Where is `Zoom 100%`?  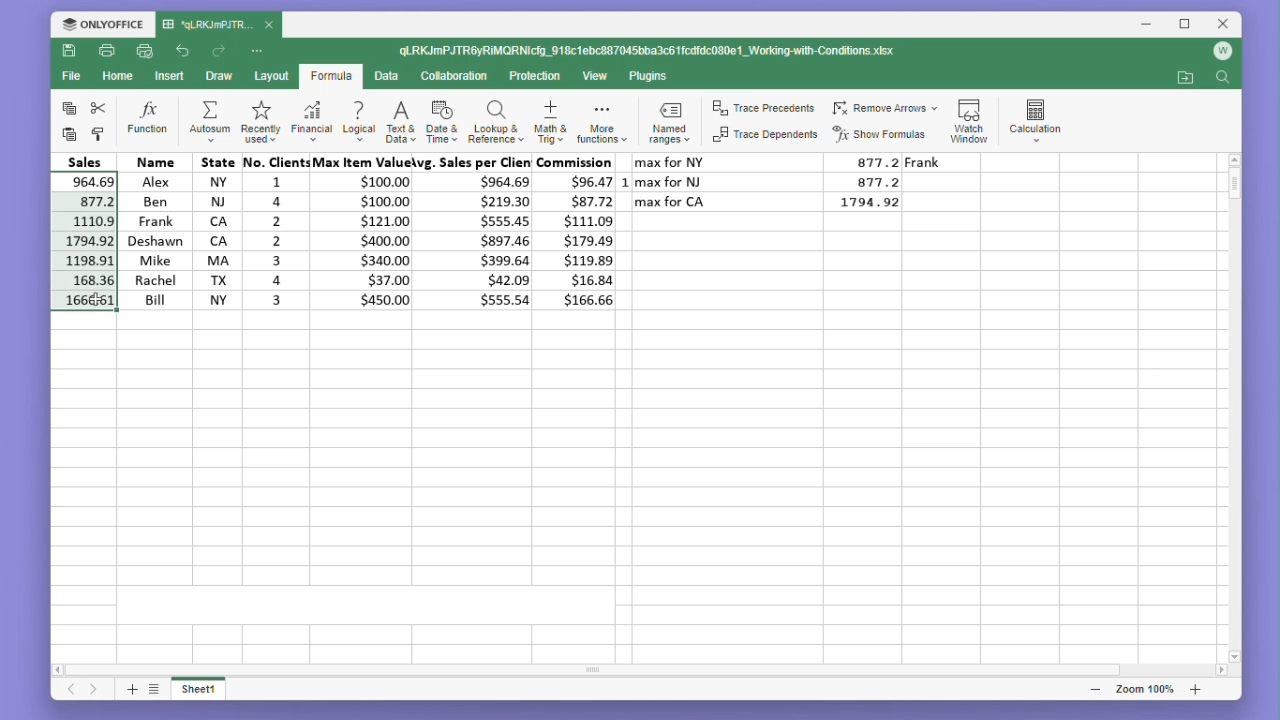
Zoom 100% is located at coordinates (1150, 689).